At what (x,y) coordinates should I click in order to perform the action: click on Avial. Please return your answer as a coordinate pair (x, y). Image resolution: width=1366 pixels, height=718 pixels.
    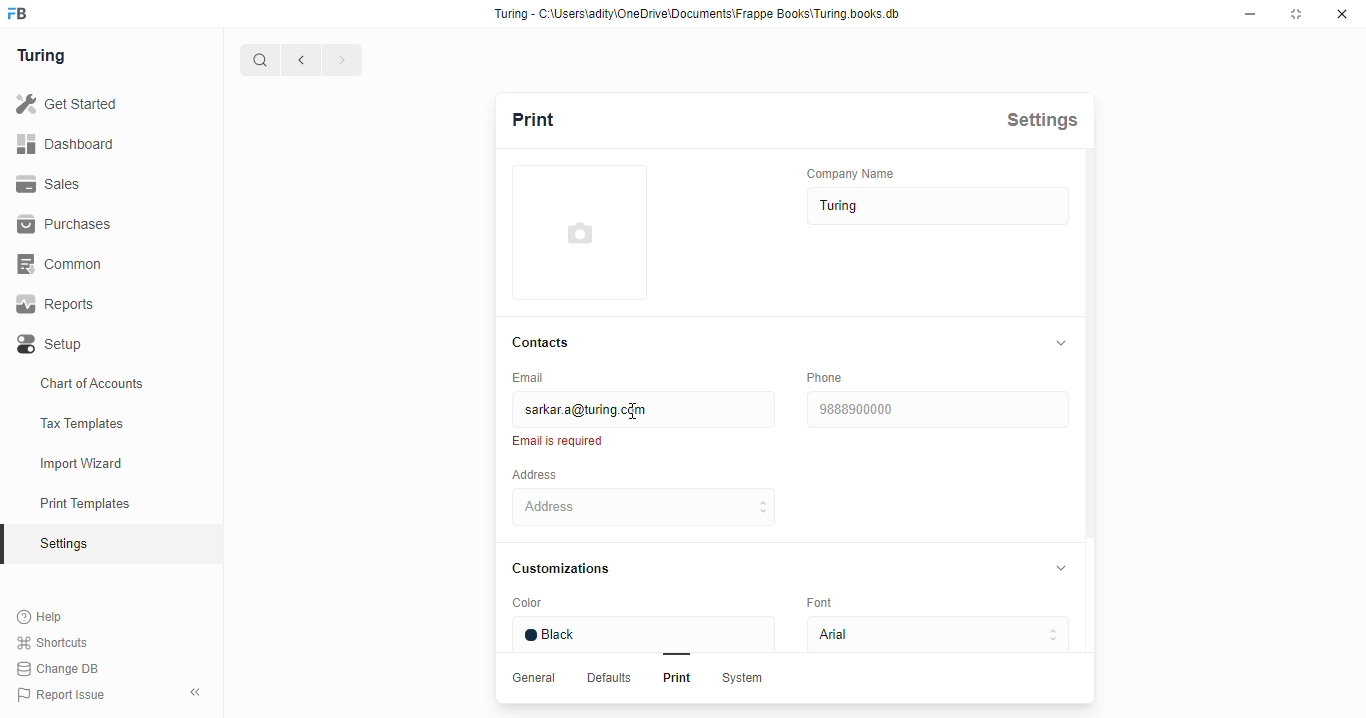
    Looking at the image, I should click on (933, 636).